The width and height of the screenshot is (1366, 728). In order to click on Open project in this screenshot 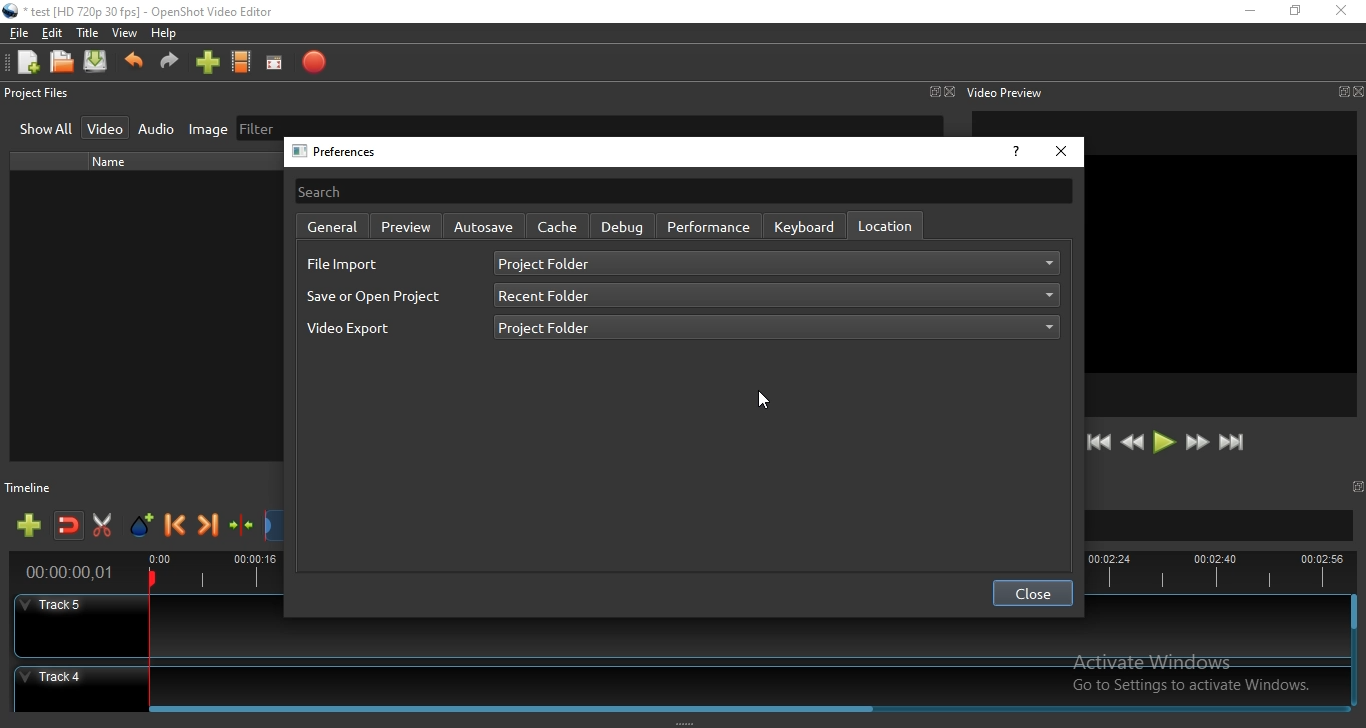, I will do `click(63, 63)`.